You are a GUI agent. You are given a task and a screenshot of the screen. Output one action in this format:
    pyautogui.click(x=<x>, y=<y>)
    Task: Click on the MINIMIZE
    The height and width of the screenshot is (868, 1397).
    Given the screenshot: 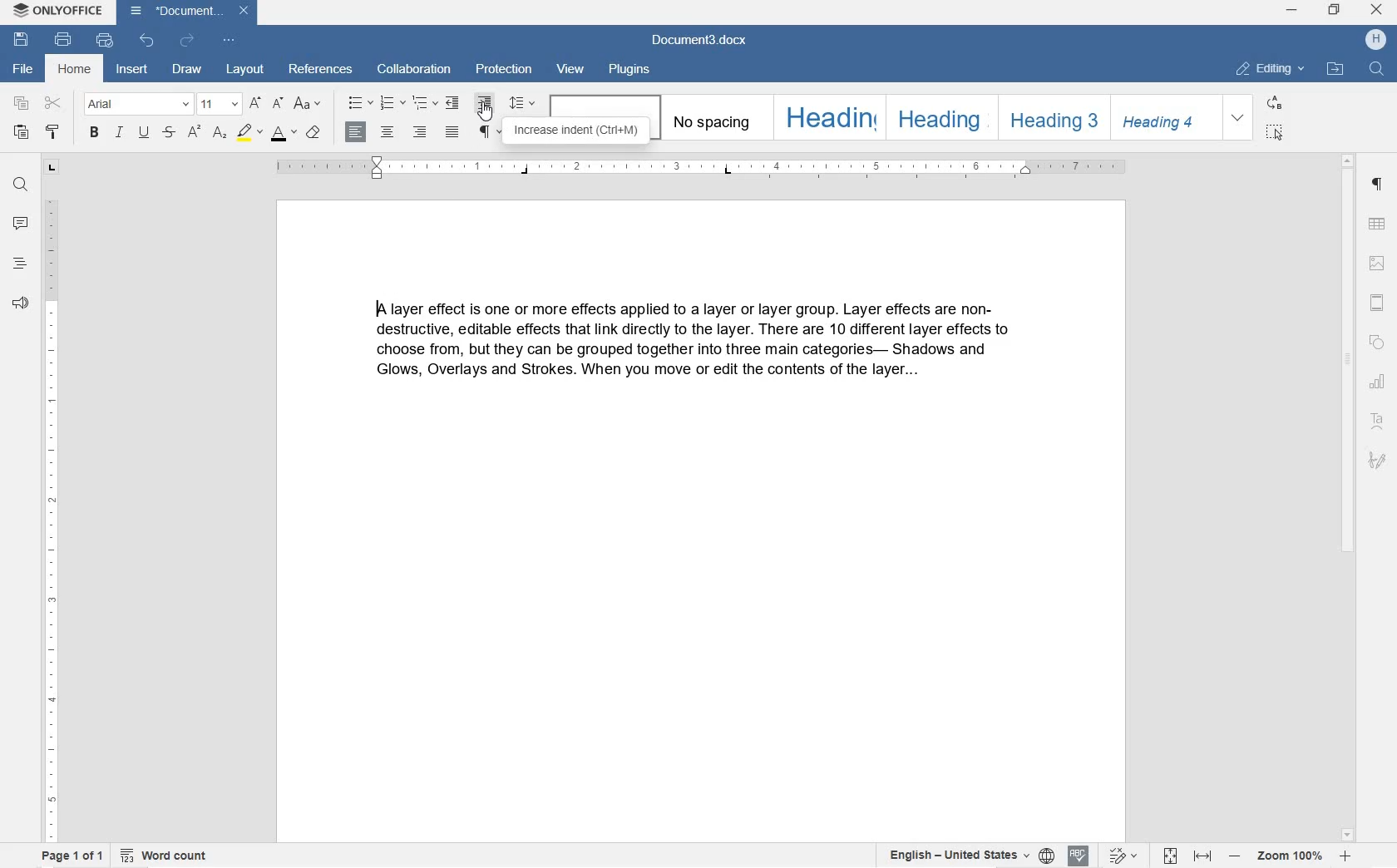 What is the action you would take?
    pyautogui.click(x=1291, y=11)
    